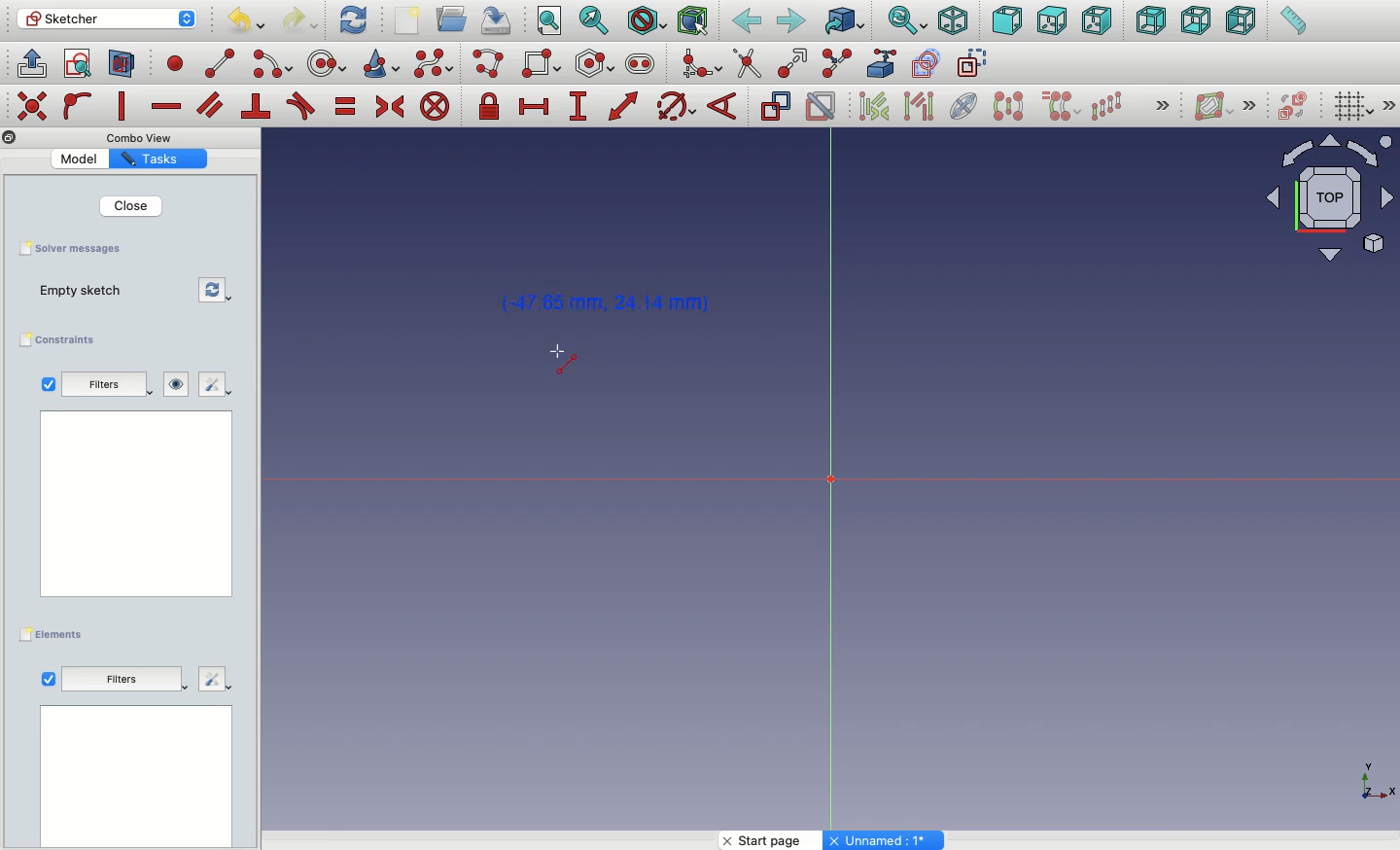 Image resolution: width=1400 pixels, height=850 pixels. I want to click on B-spline, so click(434, 64).